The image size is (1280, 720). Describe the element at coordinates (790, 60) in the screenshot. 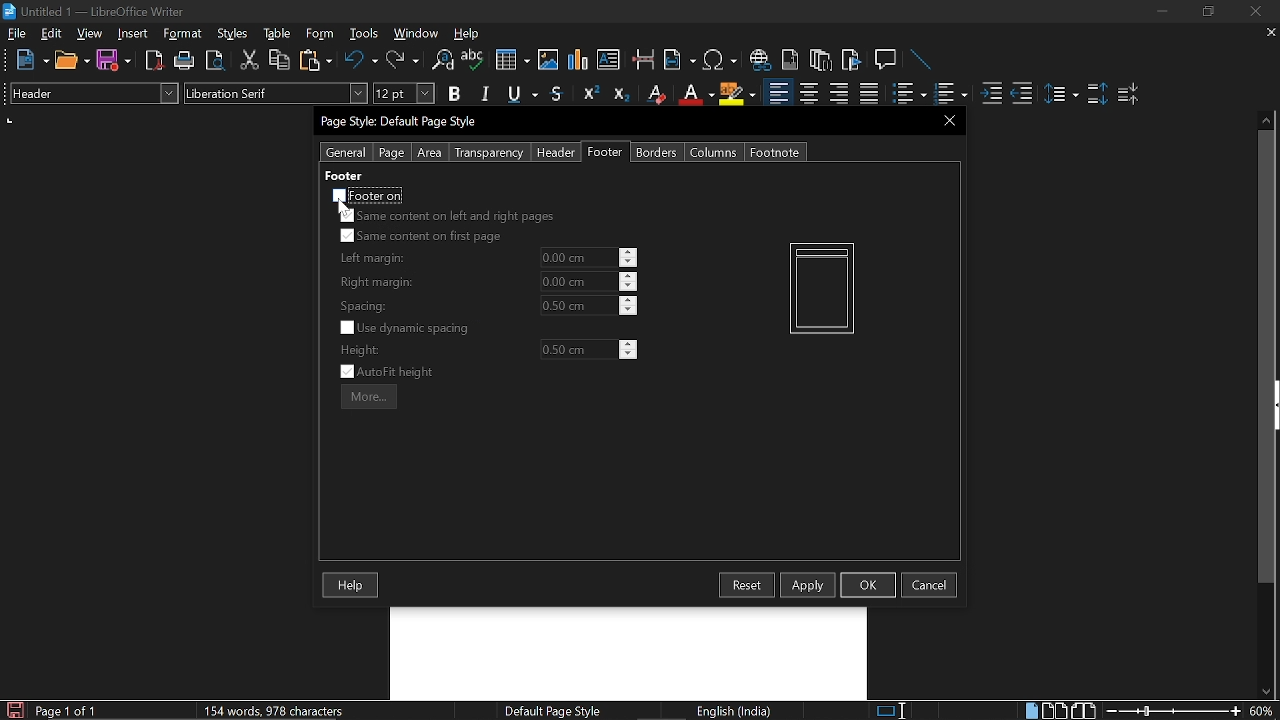

I see `Insert endnote` at that location.